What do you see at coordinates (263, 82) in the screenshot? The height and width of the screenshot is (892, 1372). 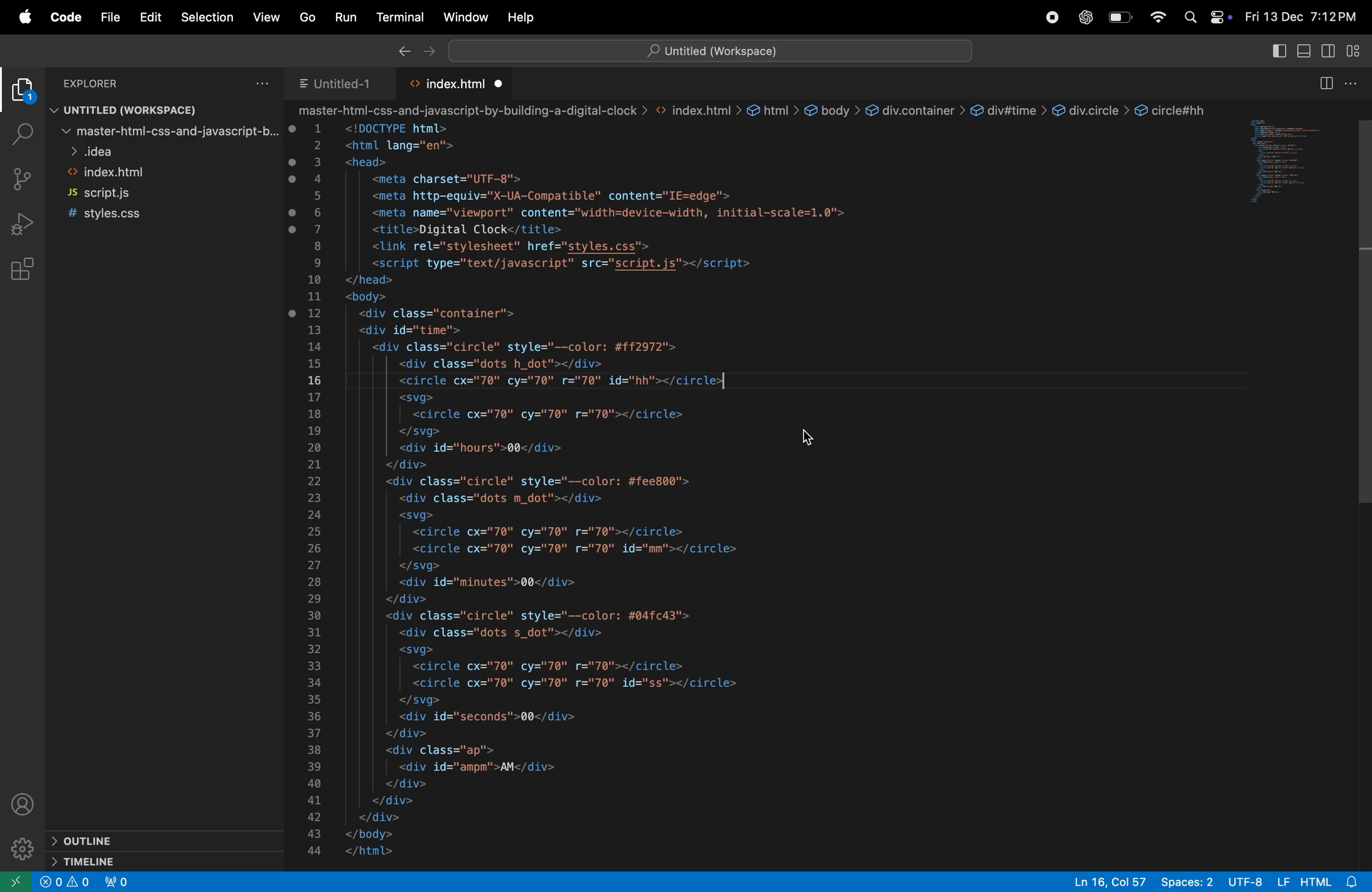 I see `options` at bounding box center [263, 82].